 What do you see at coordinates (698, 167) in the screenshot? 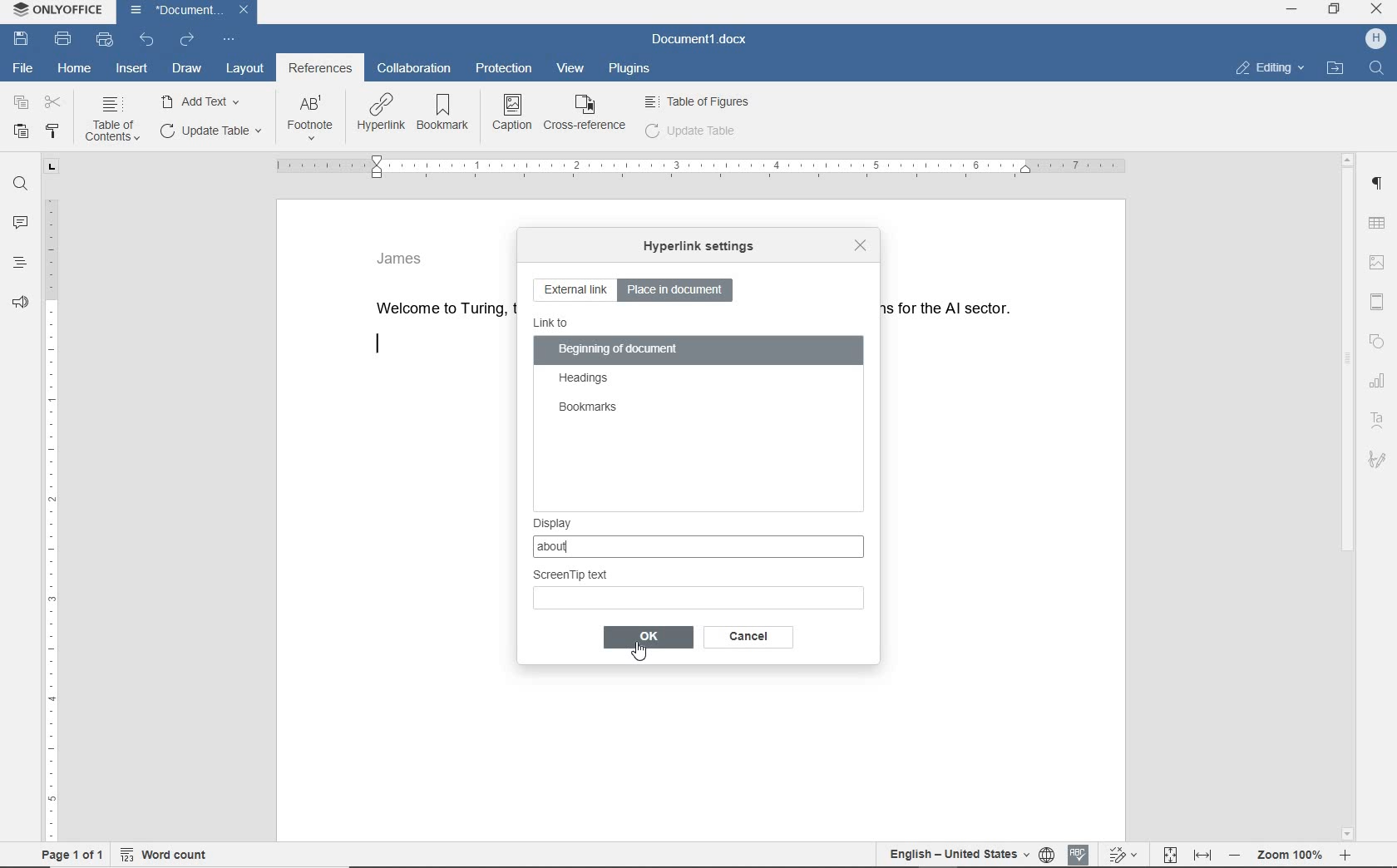
I see `ruler` at bounding box center [698, 167].